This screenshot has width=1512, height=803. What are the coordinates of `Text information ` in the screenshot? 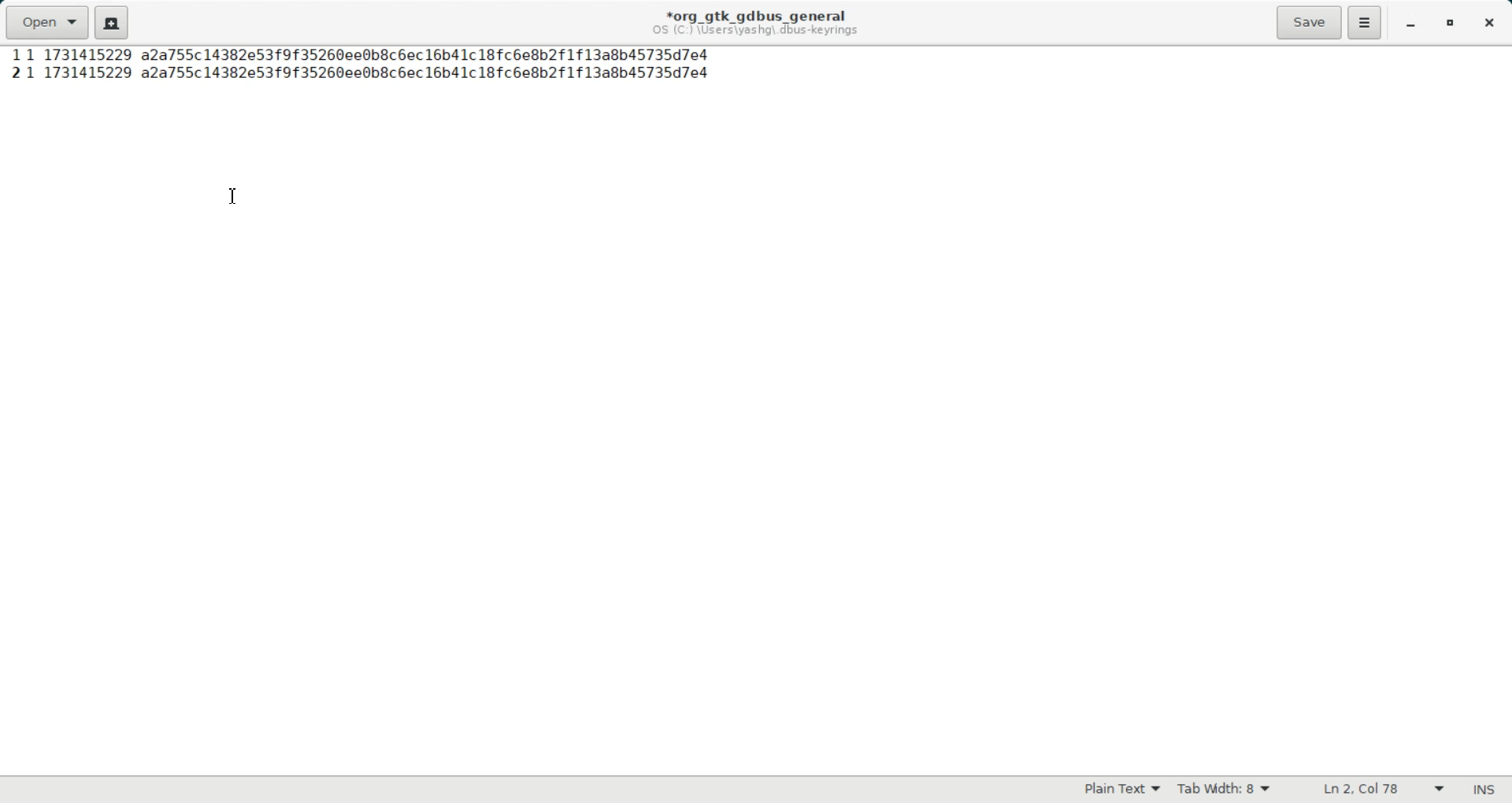 It's located at (755, 22).